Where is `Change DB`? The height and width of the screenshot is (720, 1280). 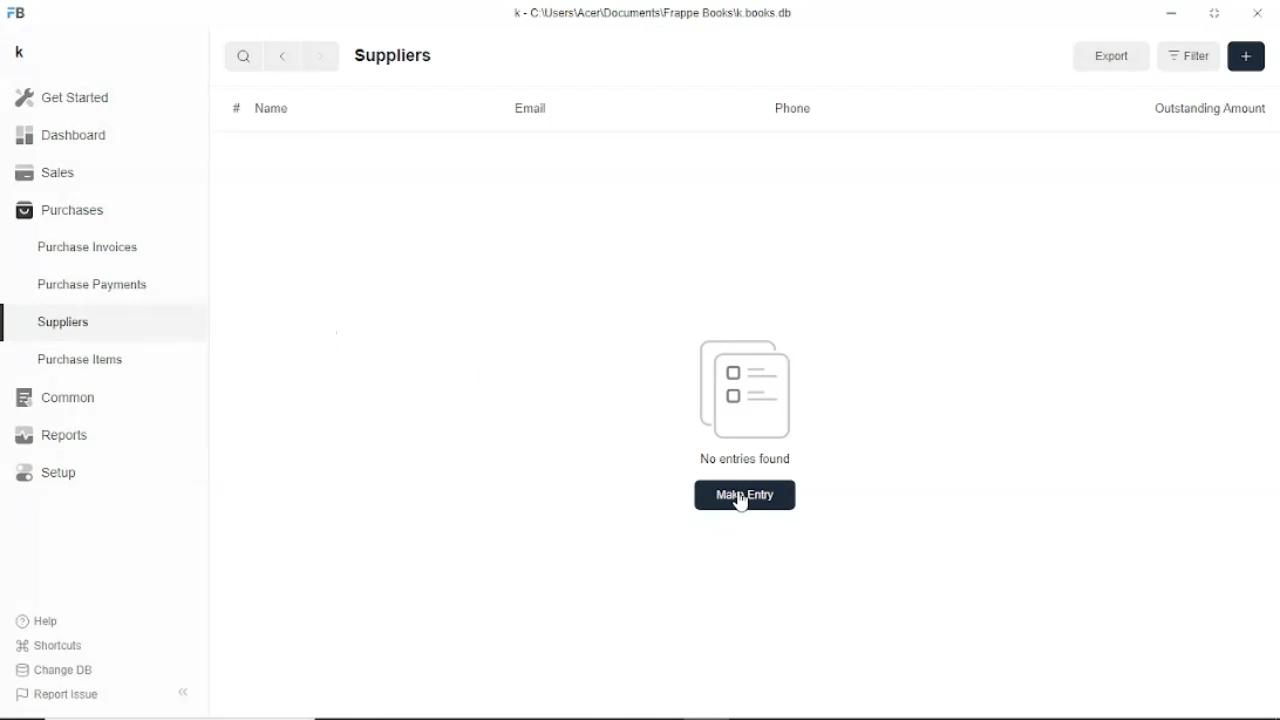
Change DB is located at coordinates (55, 671).